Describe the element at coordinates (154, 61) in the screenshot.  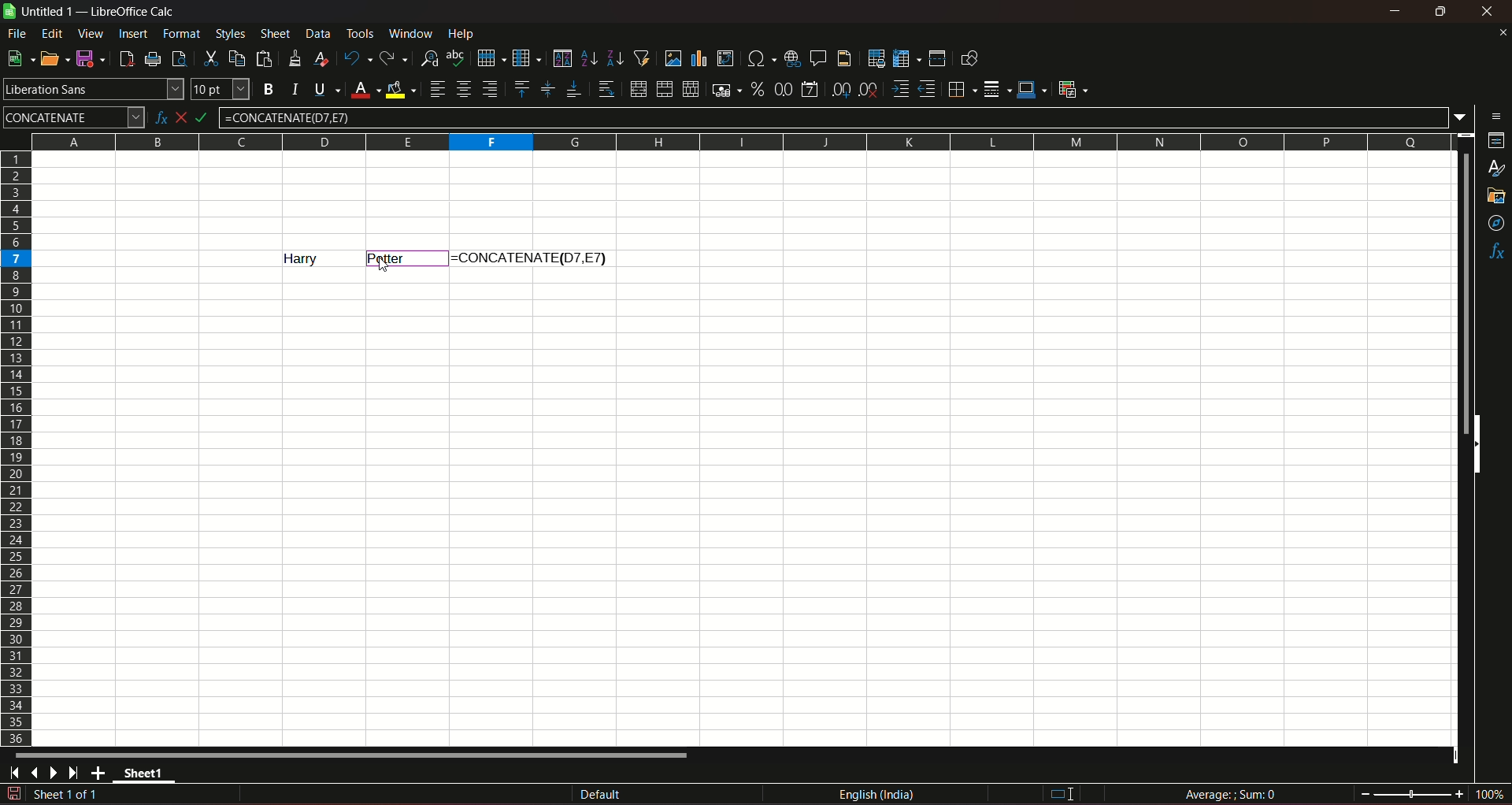
I see `print` at that location.